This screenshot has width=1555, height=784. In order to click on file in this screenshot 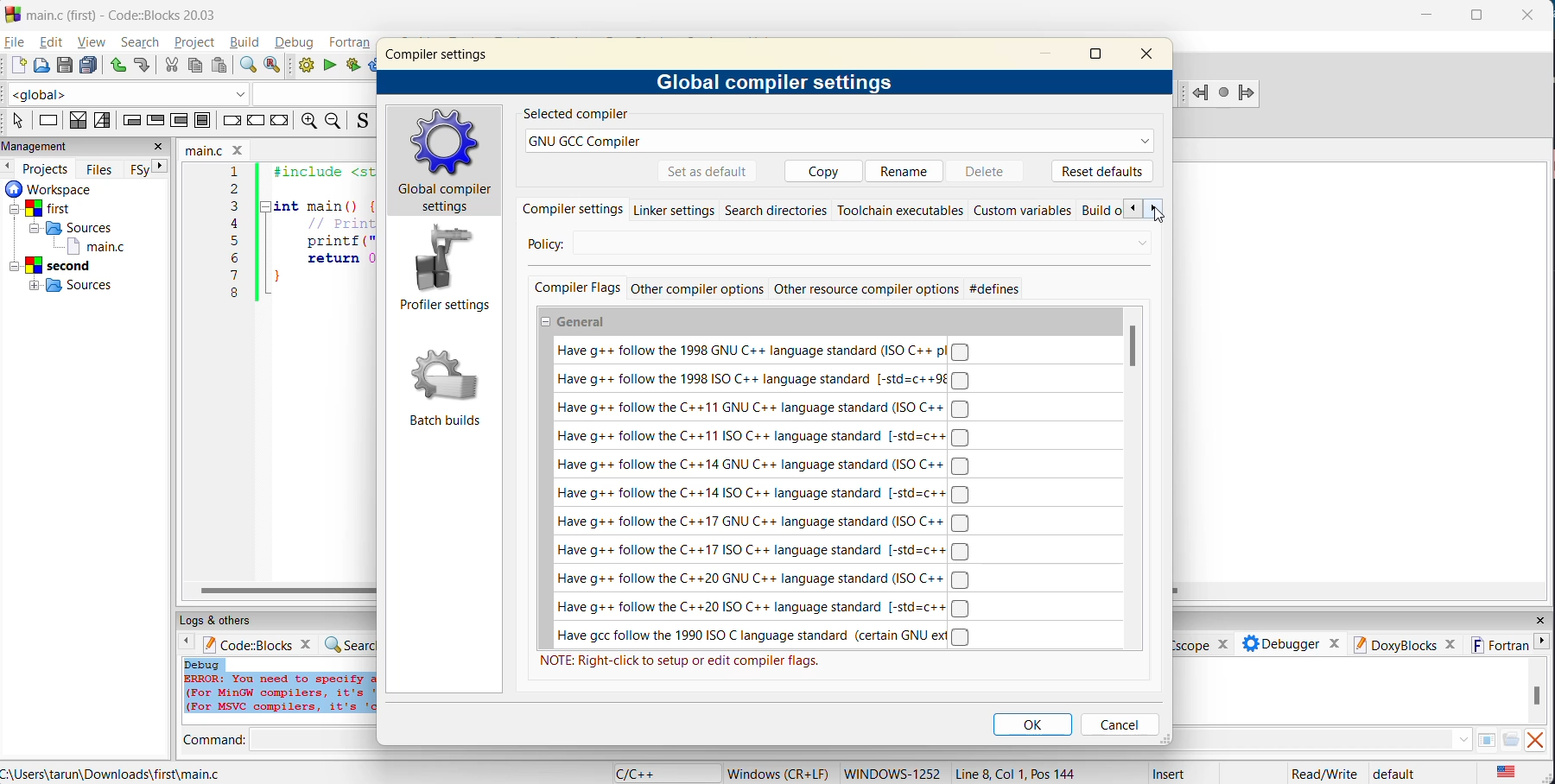, I will do `click(16, 42)`.